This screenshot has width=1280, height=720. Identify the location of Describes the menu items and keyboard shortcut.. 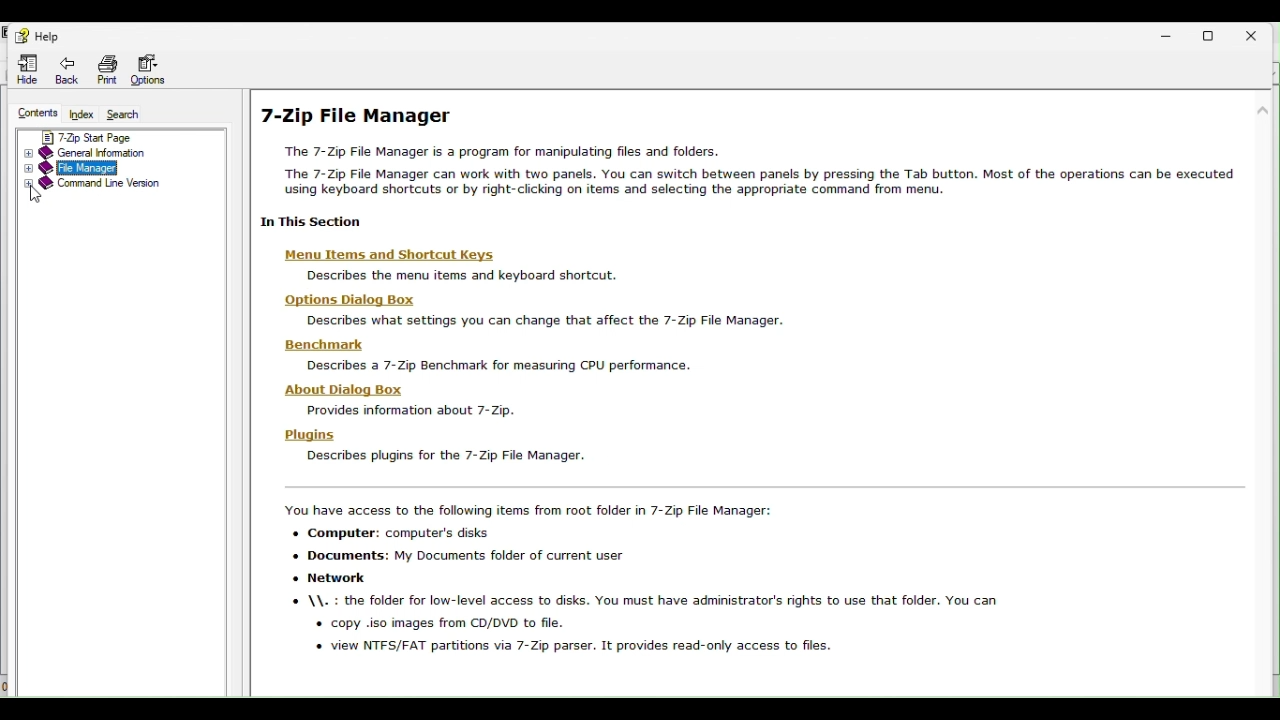
(461, 277).